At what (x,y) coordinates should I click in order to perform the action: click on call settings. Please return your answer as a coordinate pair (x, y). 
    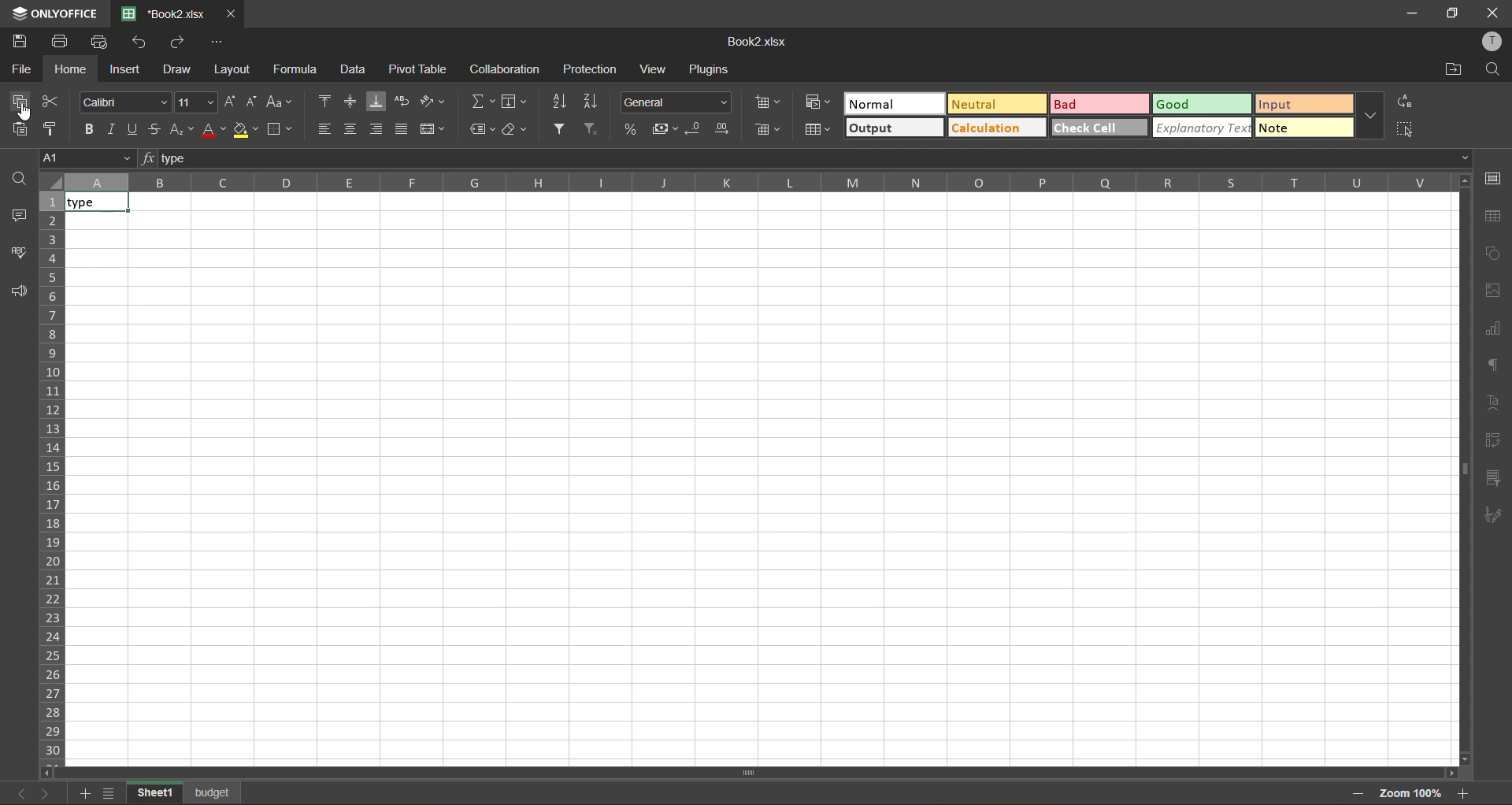
    Looking at the image, I should click on (1495, 180).